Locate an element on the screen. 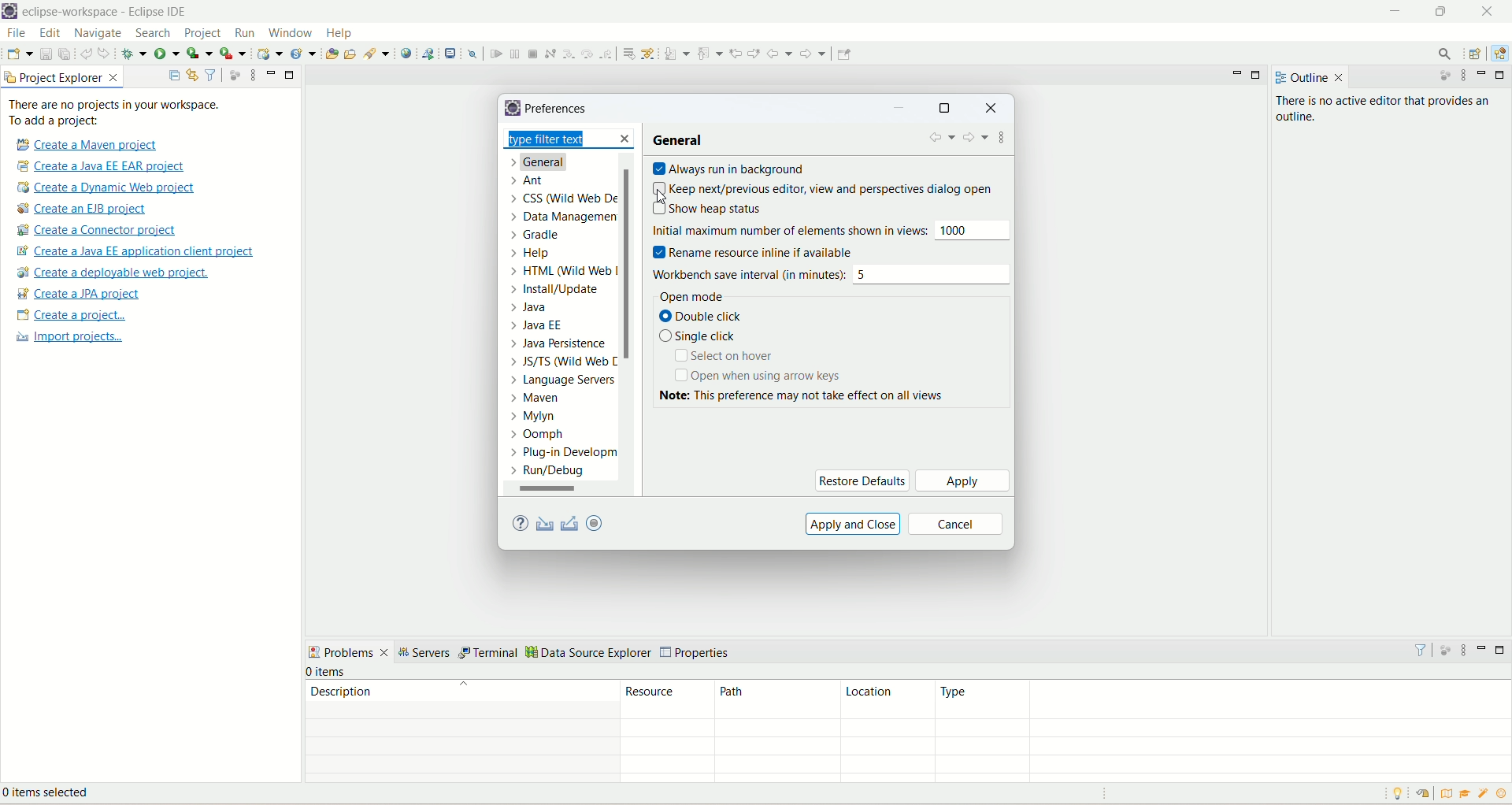  drop to frames is located at coordinates (626, 53).